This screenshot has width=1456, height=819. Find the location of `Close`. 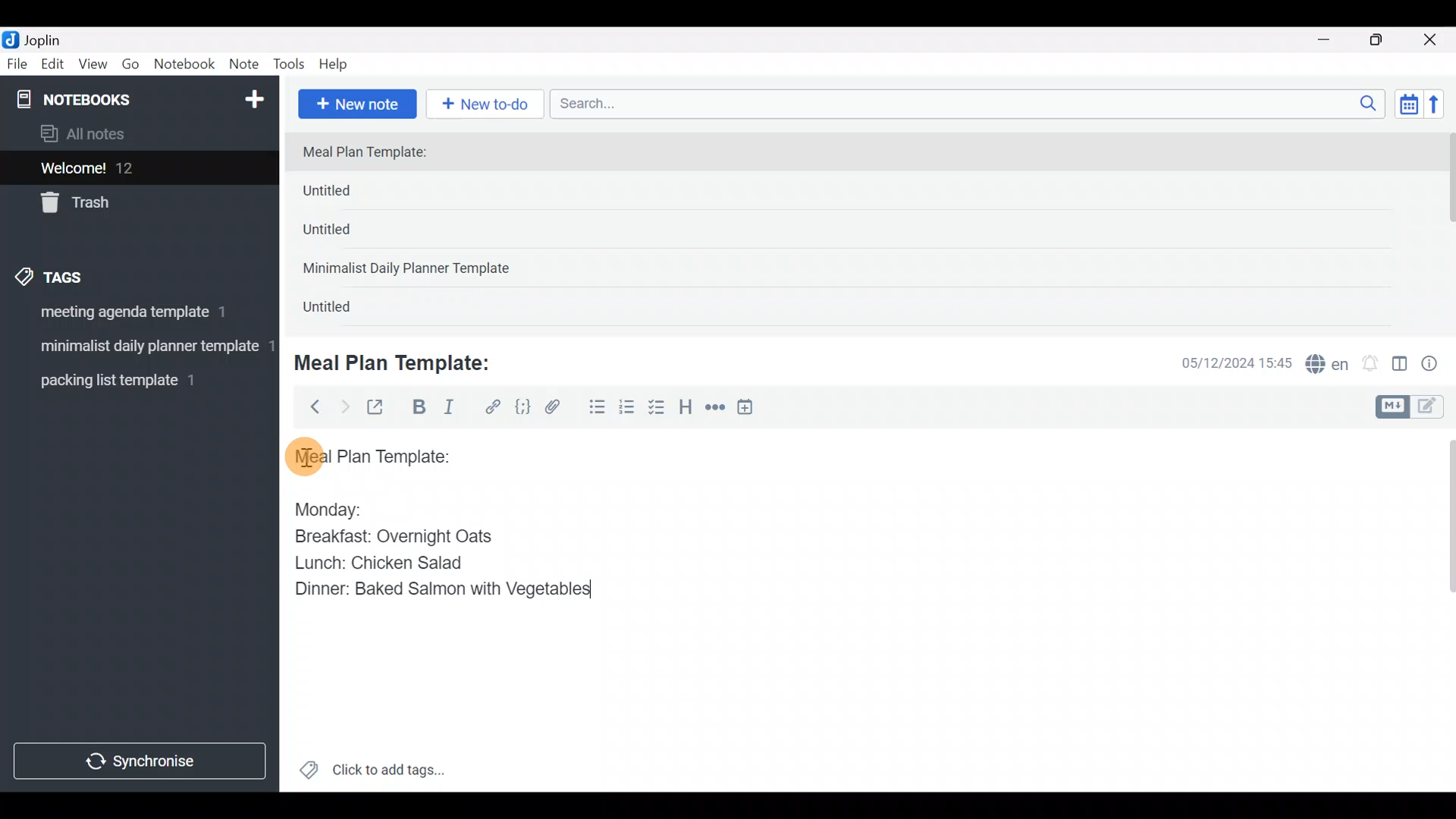

Close is located at coordinates (1432, 41).